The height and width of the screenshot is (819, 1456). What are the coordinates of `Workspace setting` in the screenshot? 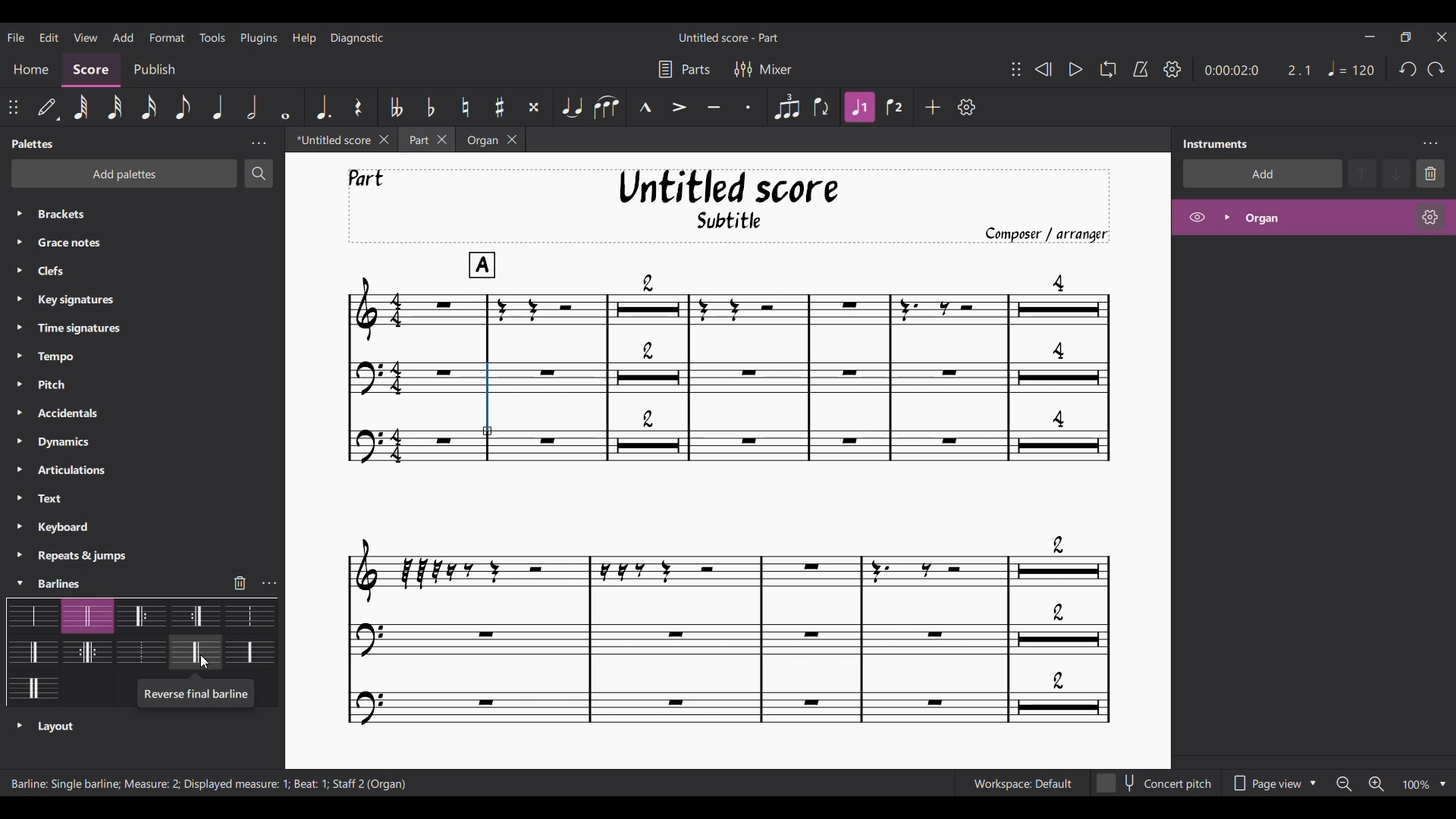 It's located at (1022, 783).